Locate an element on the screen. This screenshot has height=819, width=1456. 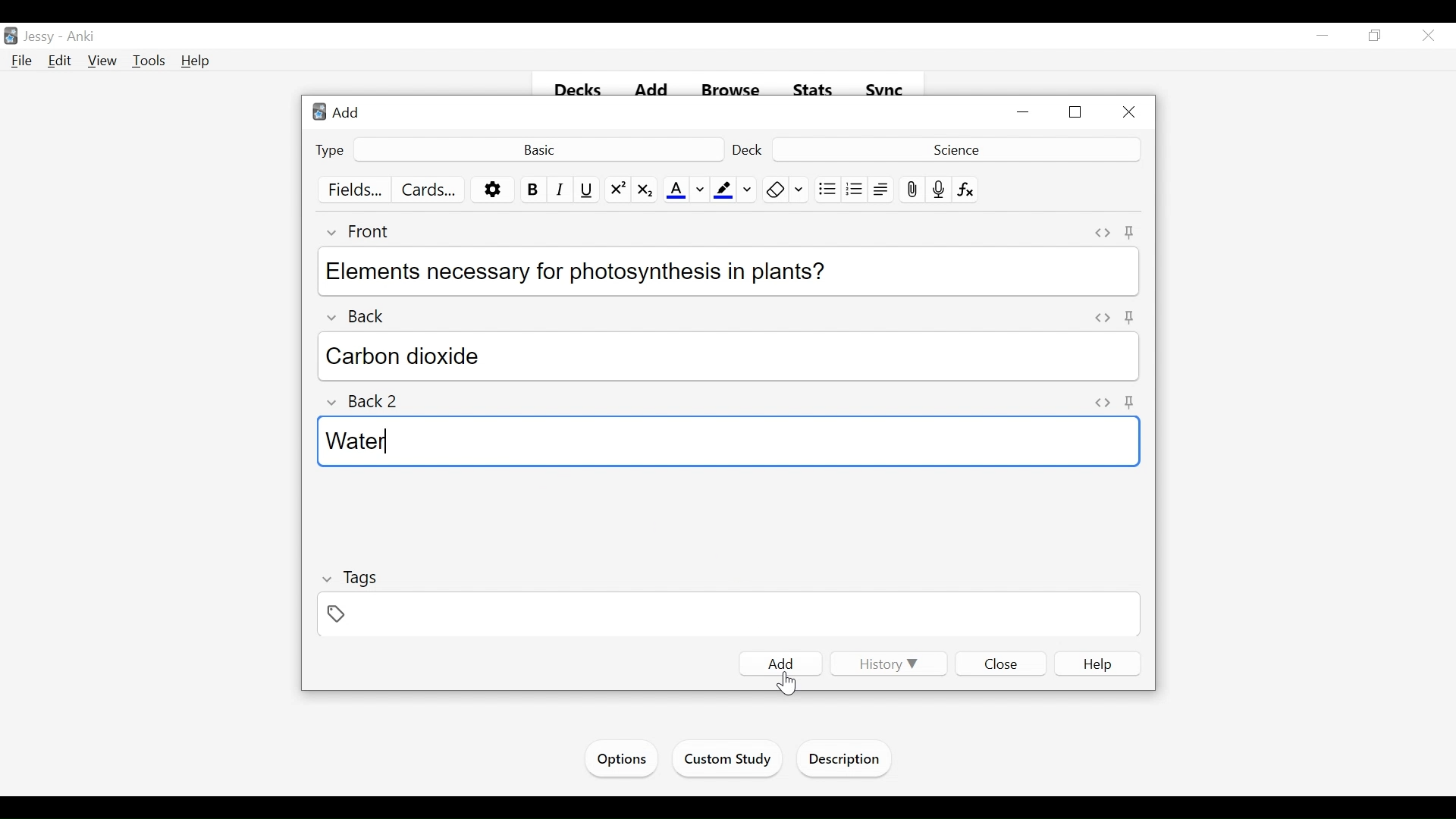
Underline is located at coordinates (588, 190).